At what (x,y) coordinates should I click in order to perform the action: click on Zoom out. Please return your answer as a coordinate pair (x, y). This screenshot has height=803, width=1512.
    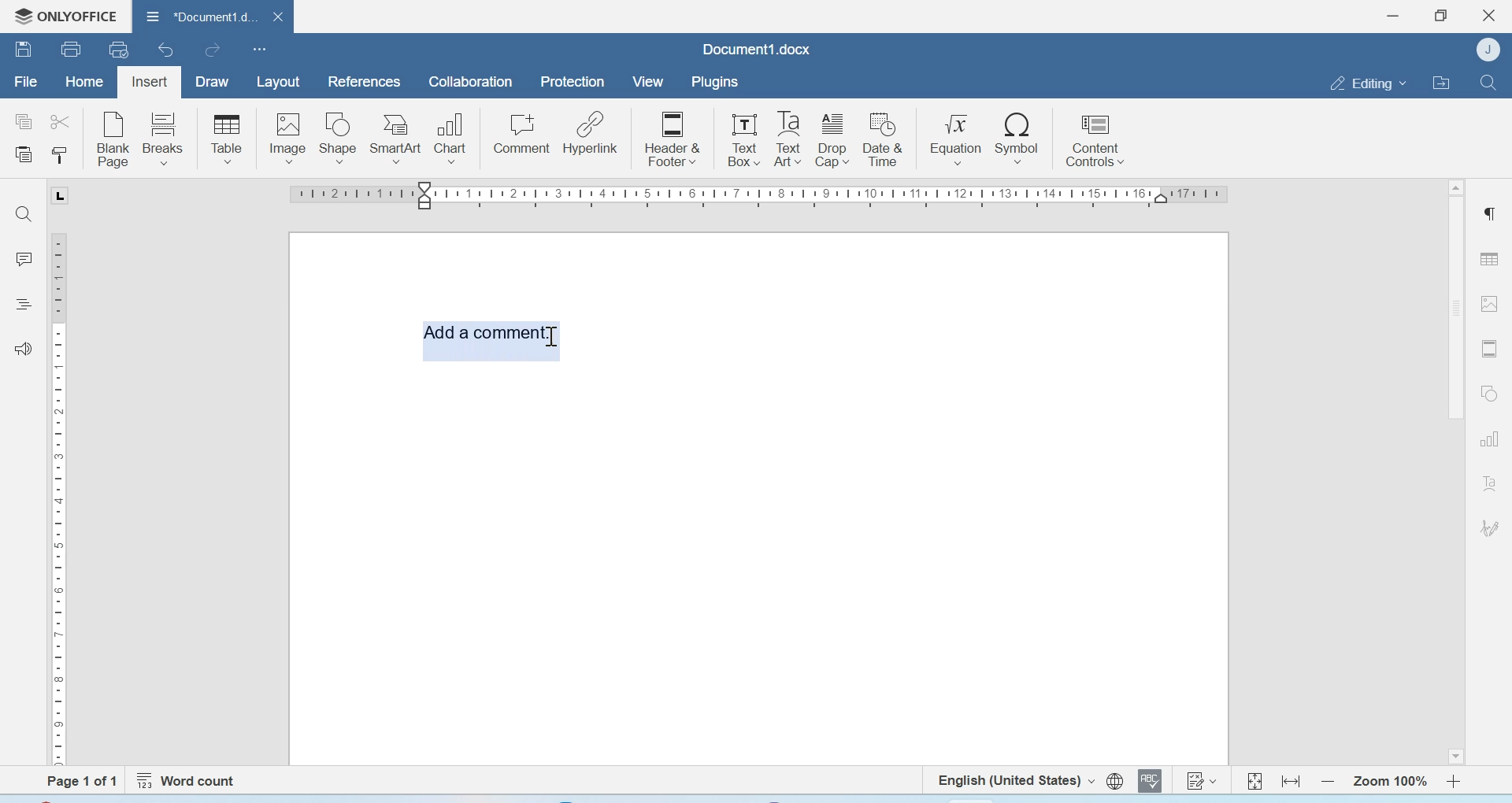
    Looking at the image, I should click on (1328, 781).